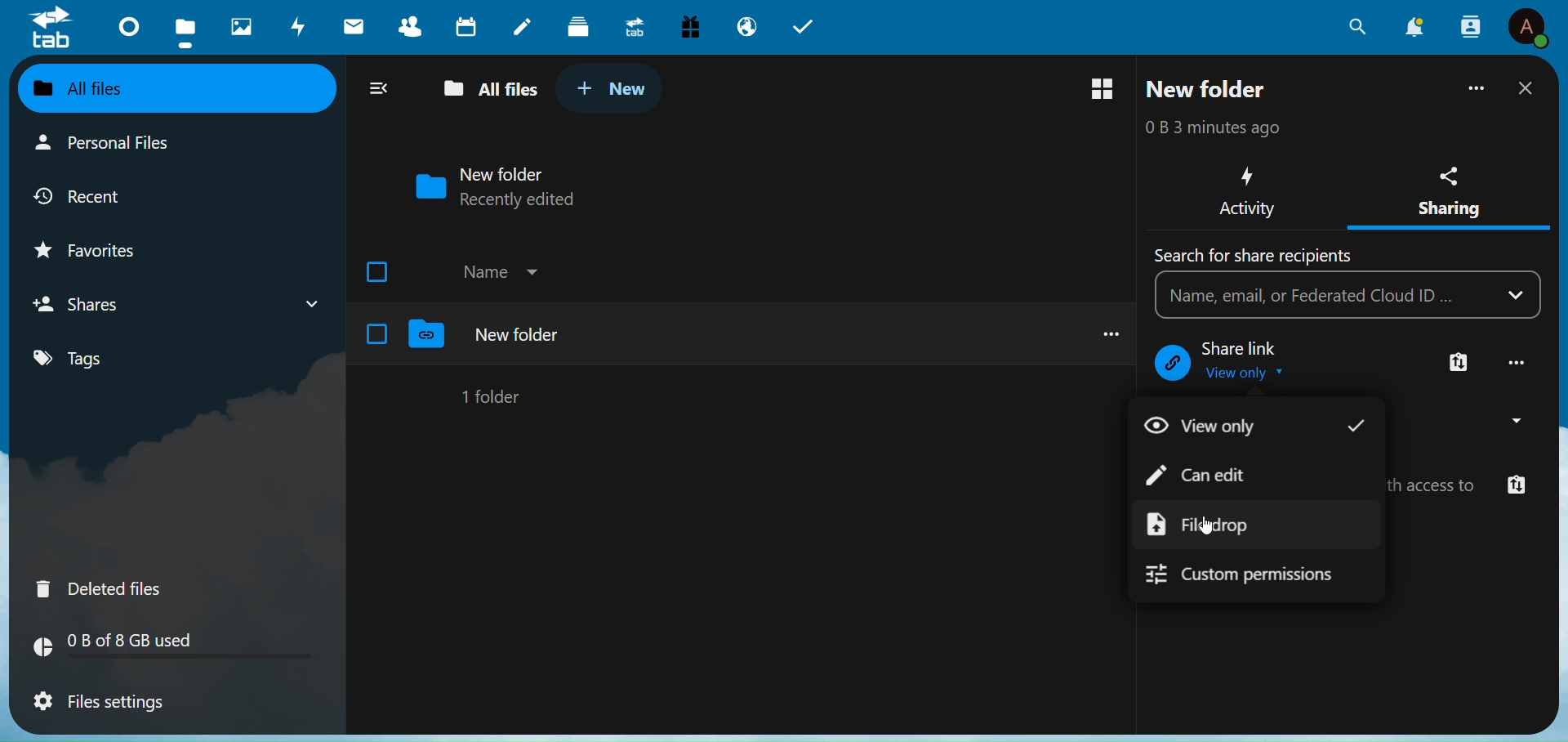 The width and height of the screenshot is (1568, 742). Describe the element at coordinates (1515, 487) in the screenshot. I see `copy link` at that location.